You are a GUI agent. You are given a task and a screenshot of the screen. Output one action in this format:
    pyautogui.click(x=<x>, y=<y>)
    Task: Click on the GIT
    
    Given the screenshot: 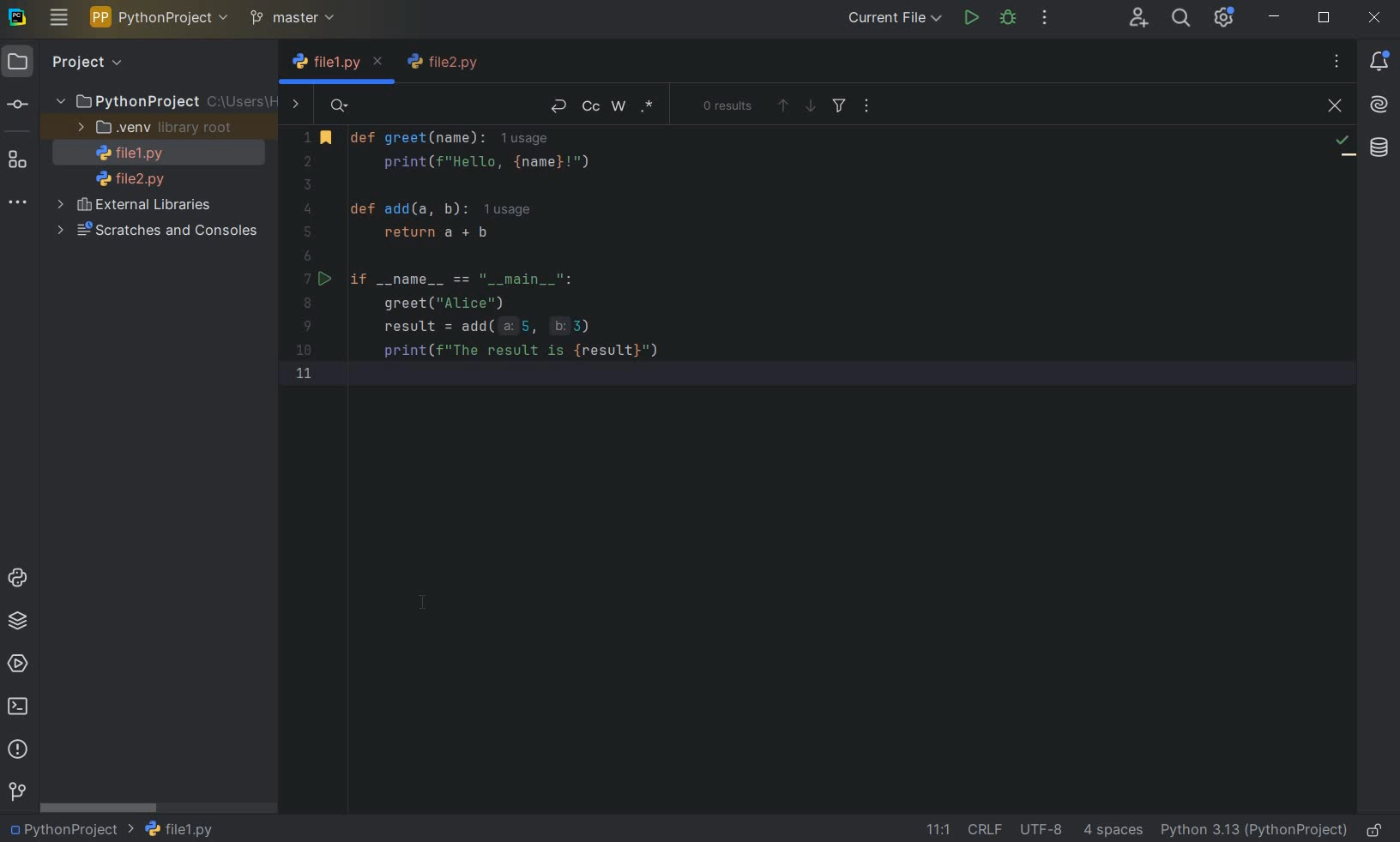 What is the action you would take?
    pyautogui.click(x=17, y=791)
    